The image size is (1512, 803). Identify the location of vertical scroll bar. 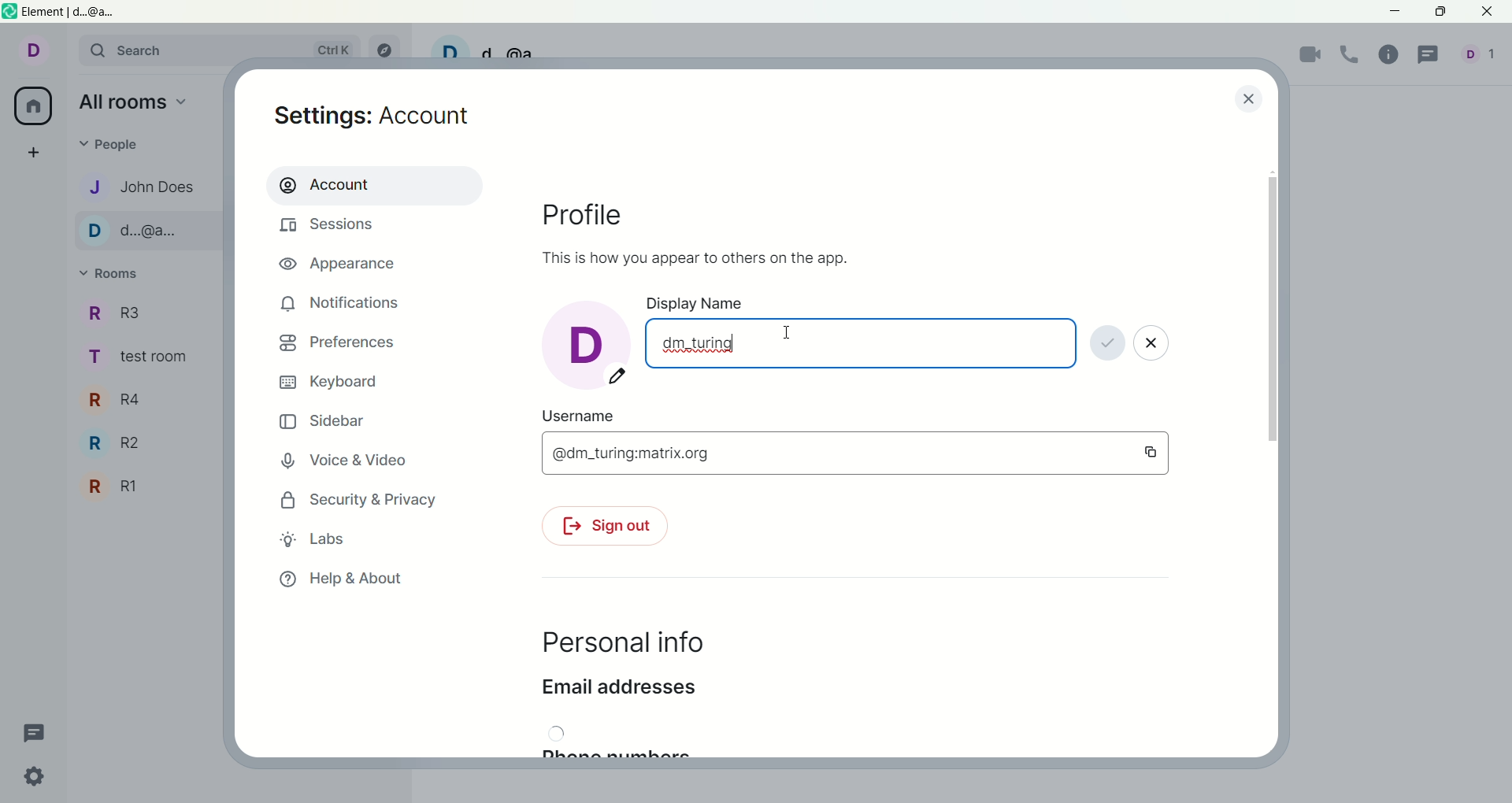
(1274, 455).